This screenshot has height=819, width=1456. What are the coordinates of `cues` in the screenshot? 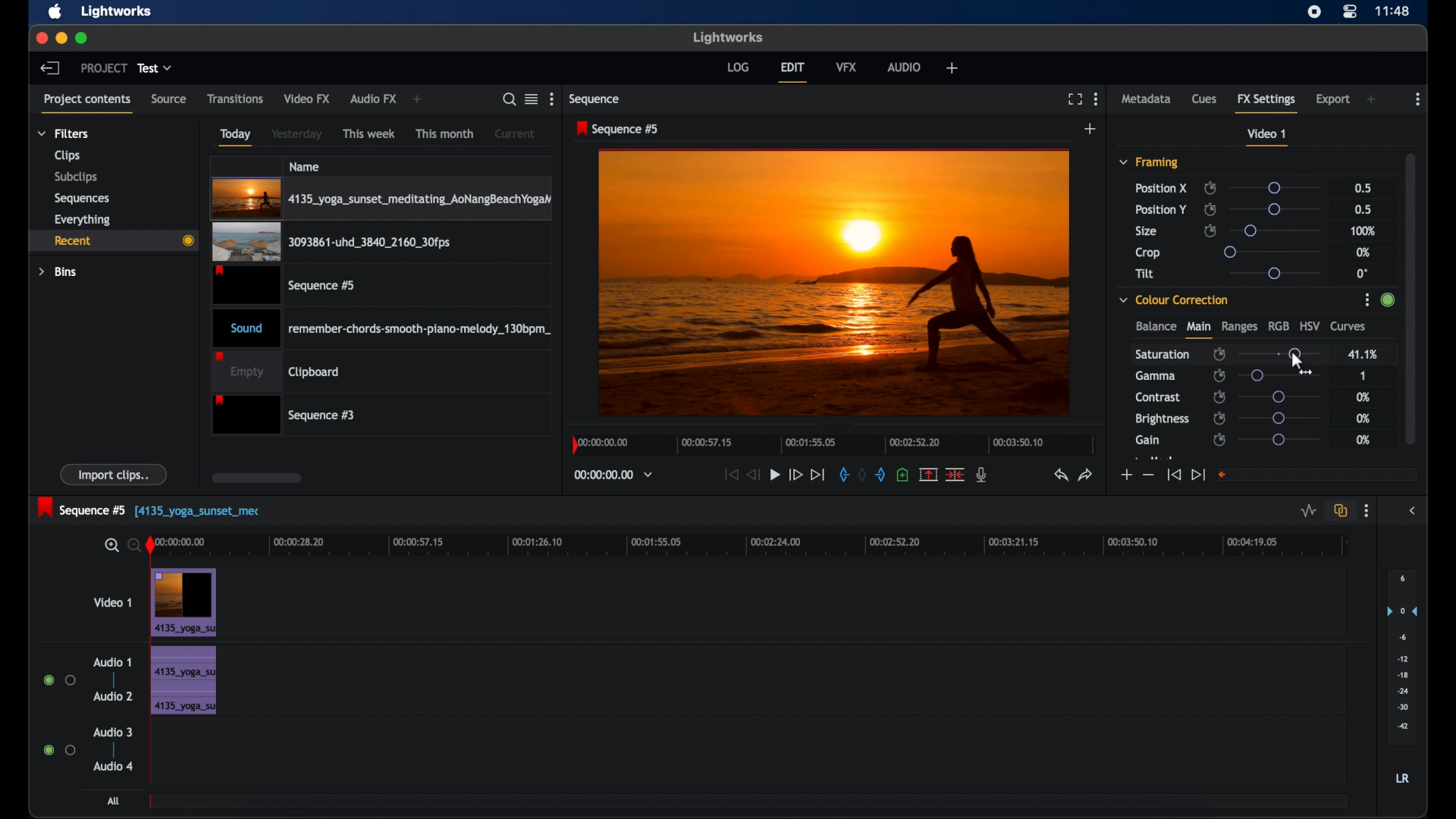 It's located at (1205, 99).